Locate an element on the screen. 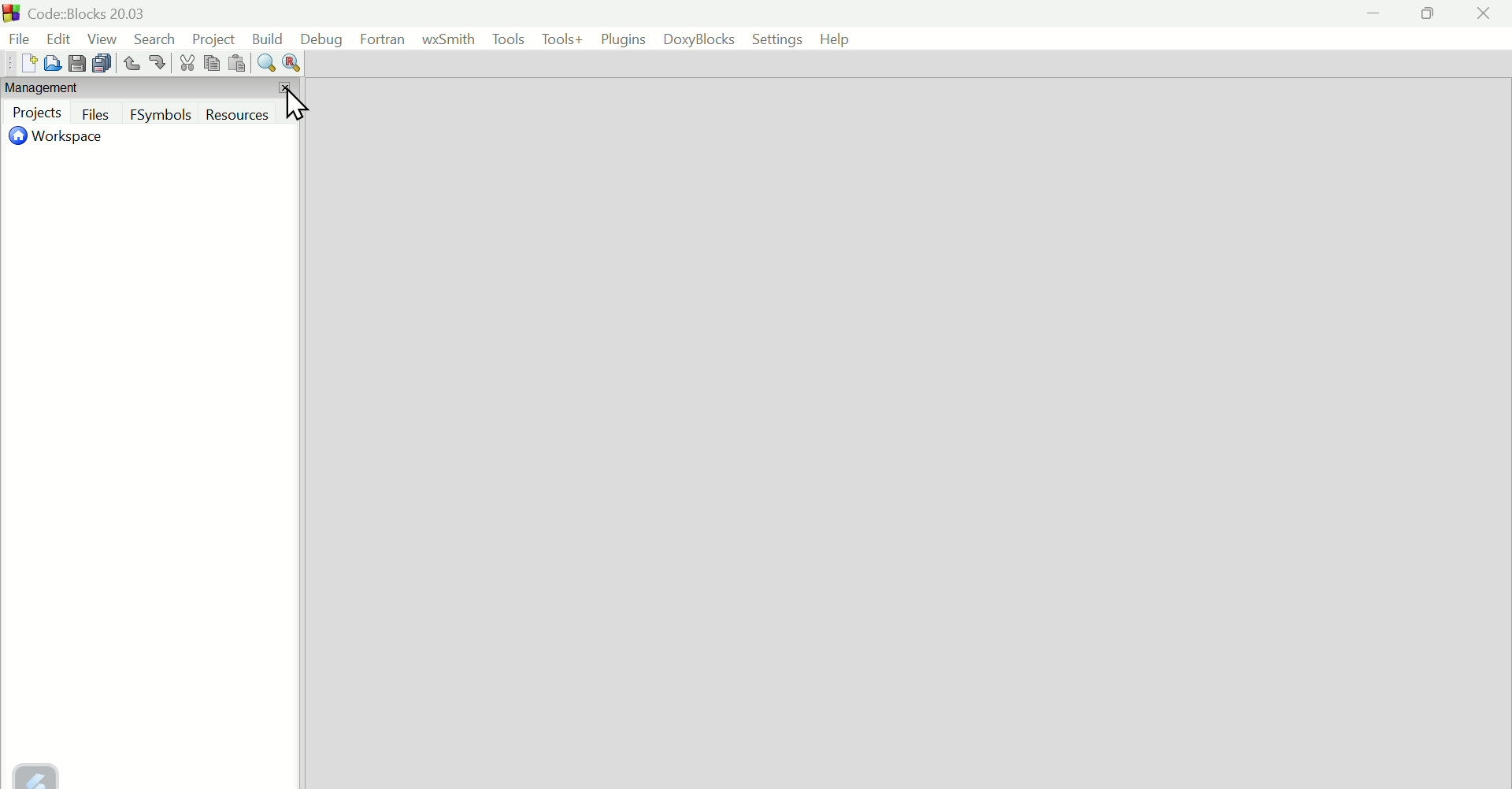  Fortran is located at coordinates (383, 40).